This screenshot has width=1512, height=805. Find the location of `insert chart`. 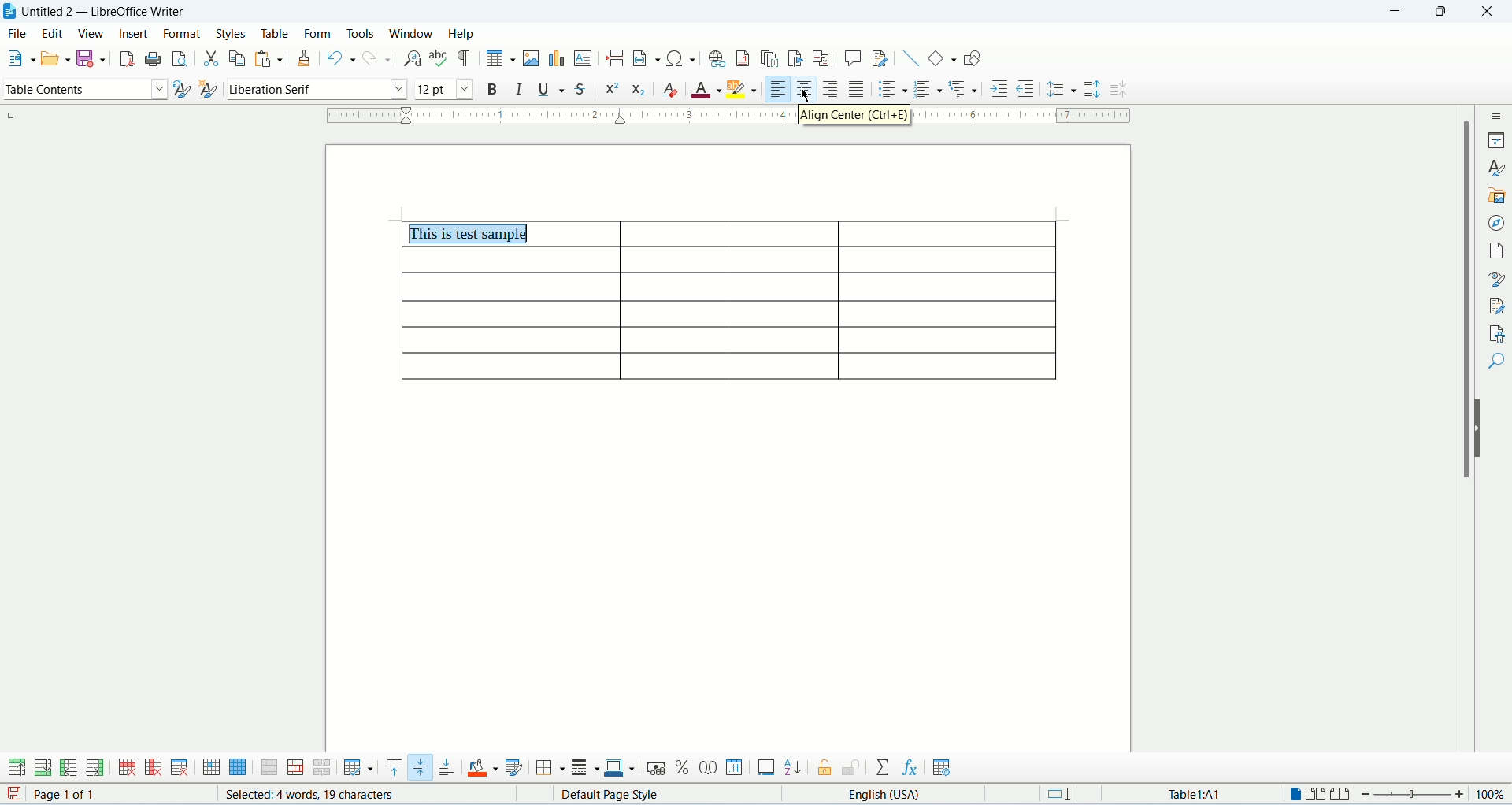

insert chart is located at coordinates (558, 58).